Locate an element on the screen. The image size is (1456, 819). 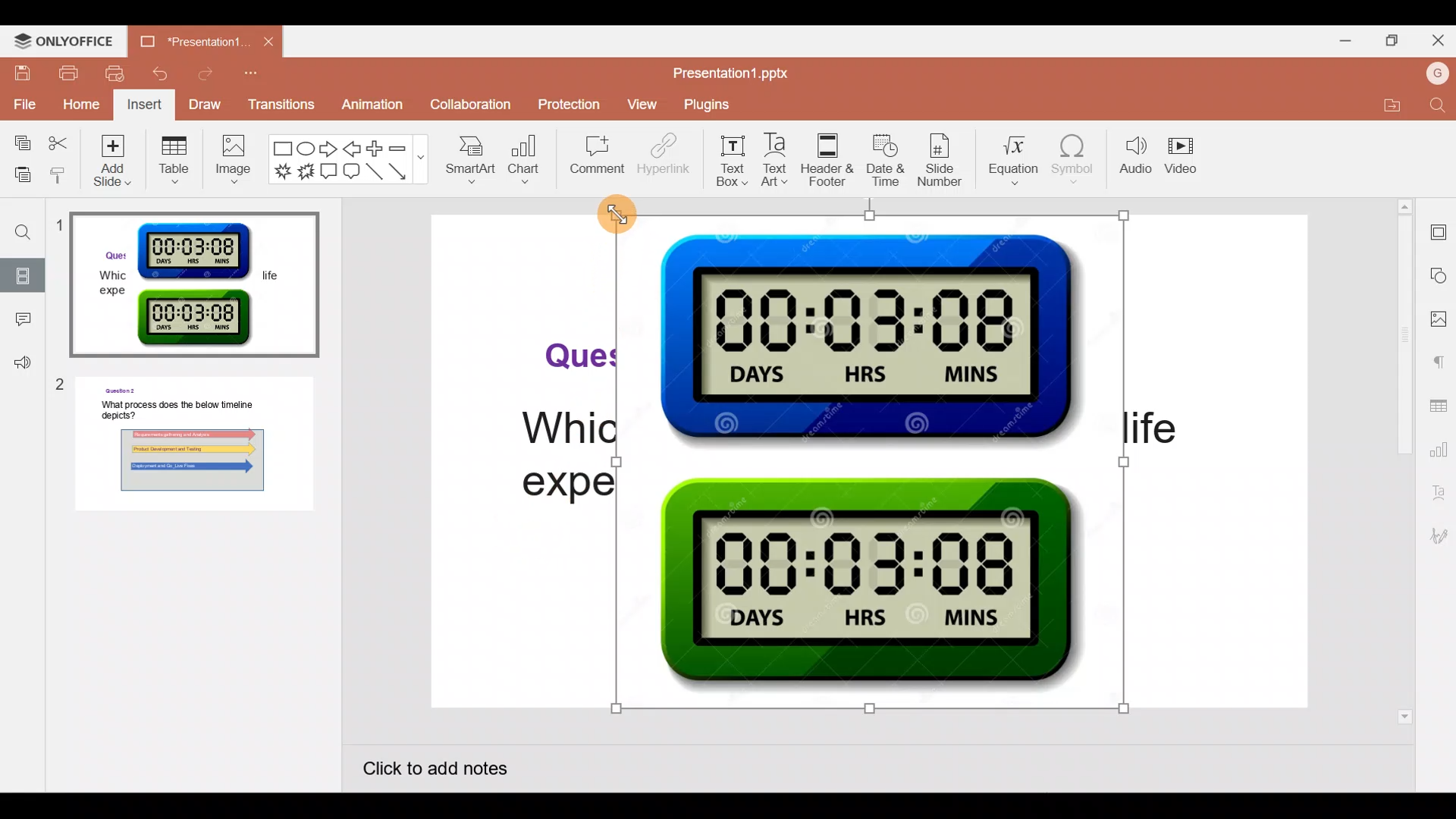
Chart is located at coordinates (526, 162).